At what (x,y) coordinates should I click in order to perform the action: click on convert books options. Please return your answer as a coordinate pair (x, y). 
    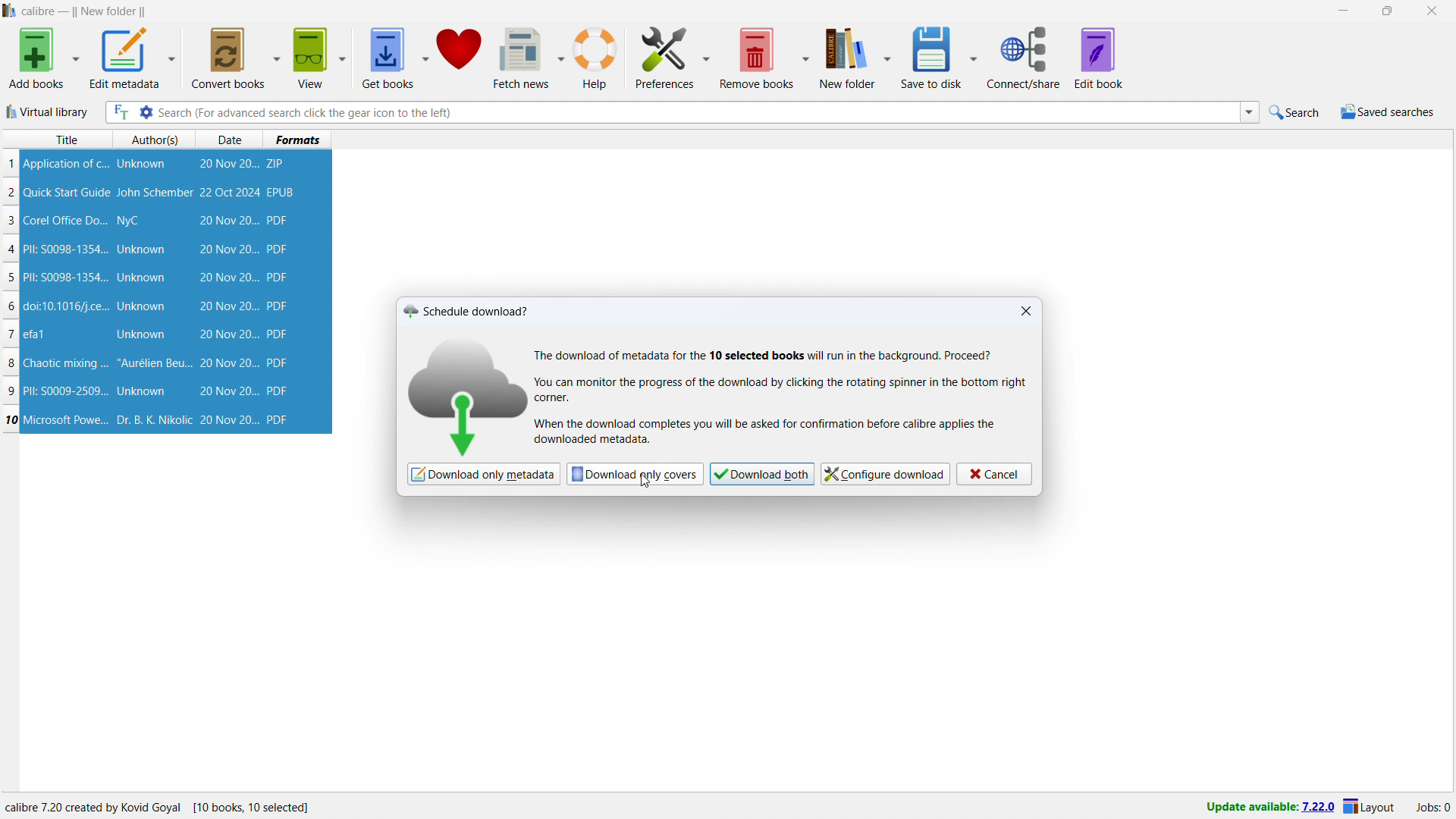
    Looking at the image, I should click on (278, 58).